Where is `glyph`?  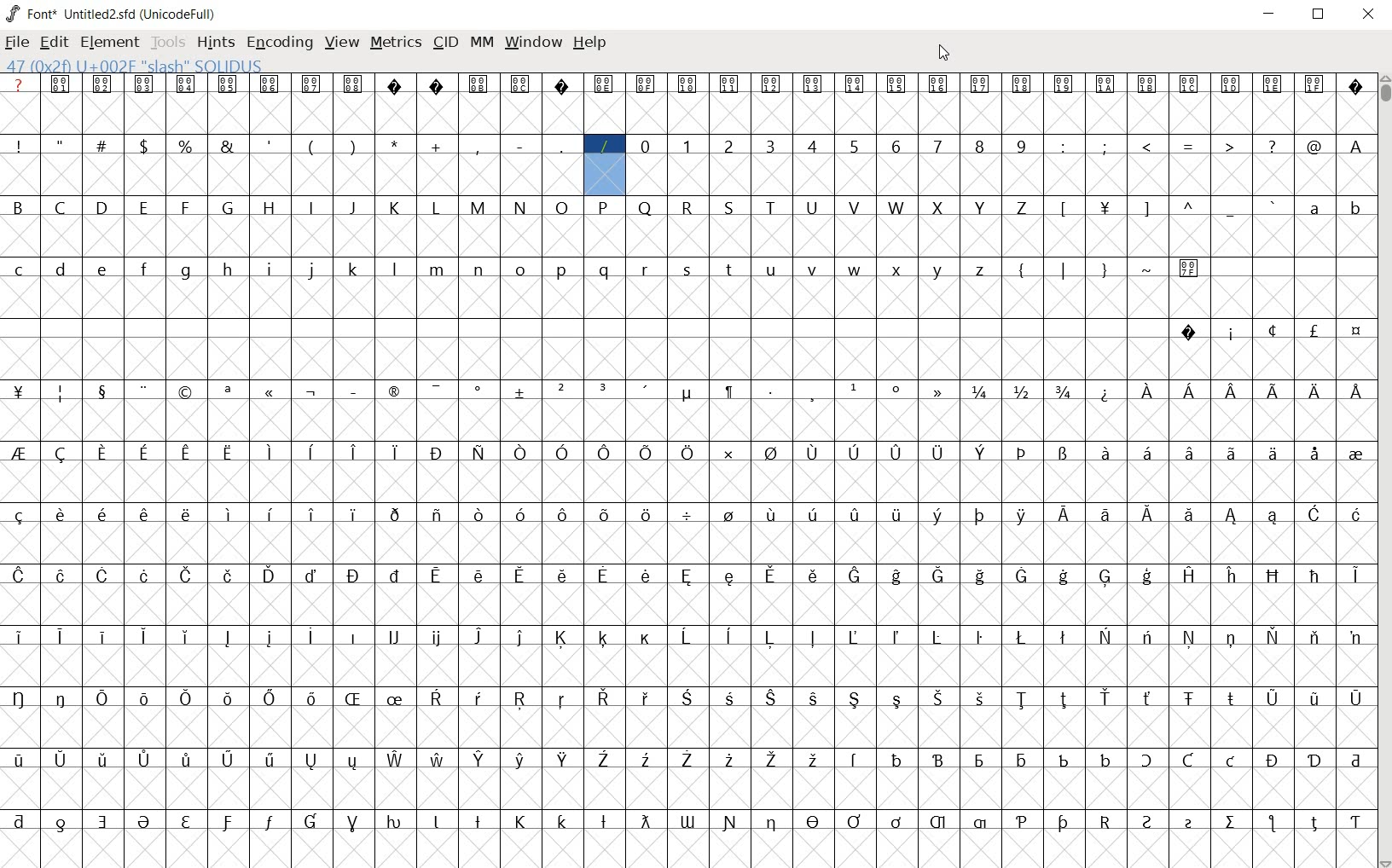
glyph is located at coordinates (855, 387).